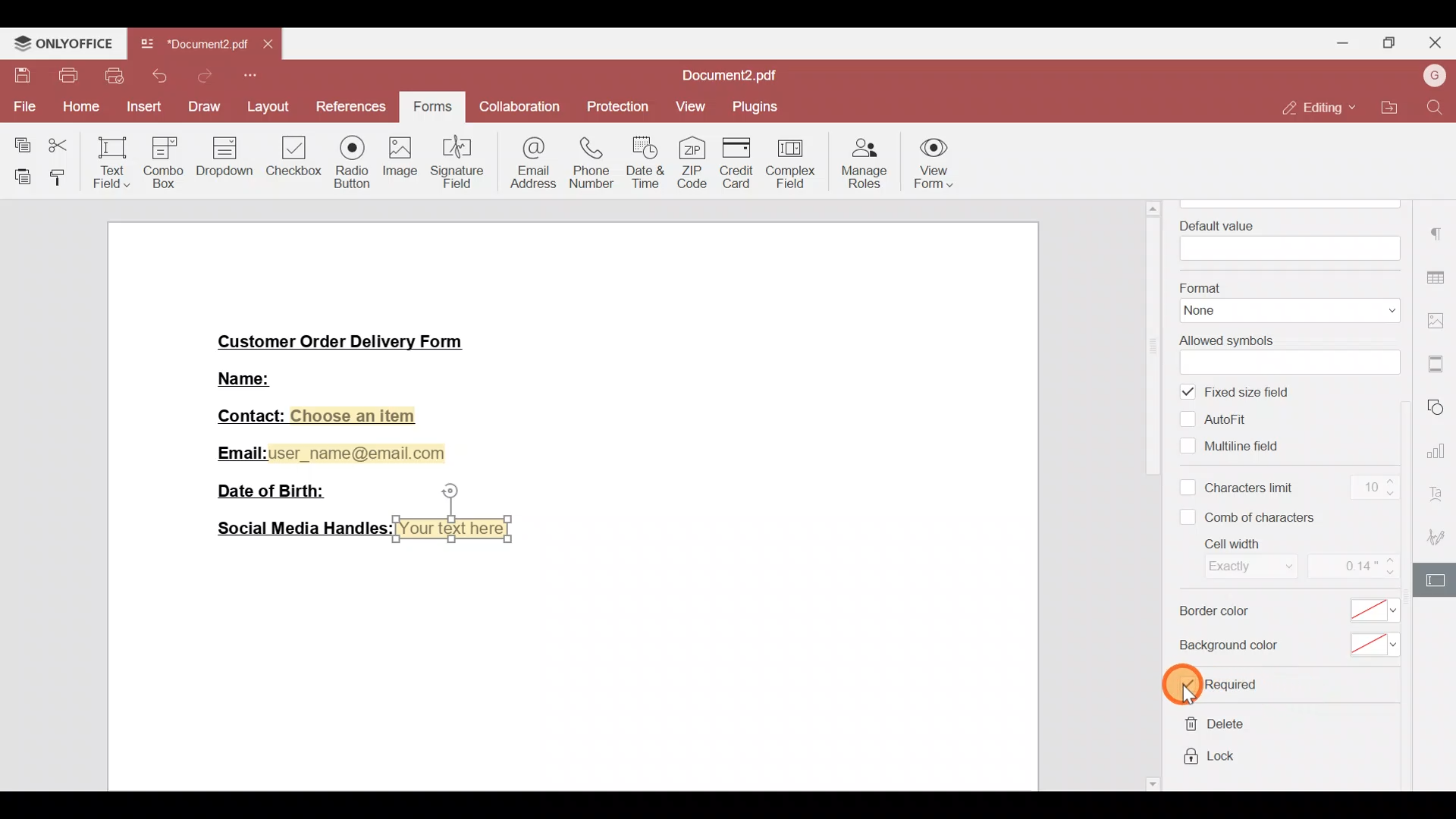 This screenshot has height=819, width=1456. What do you see at coordinates (1413, 498) in the screenshot?
I see `Scroll bar` at bounding box center [1413, 498].